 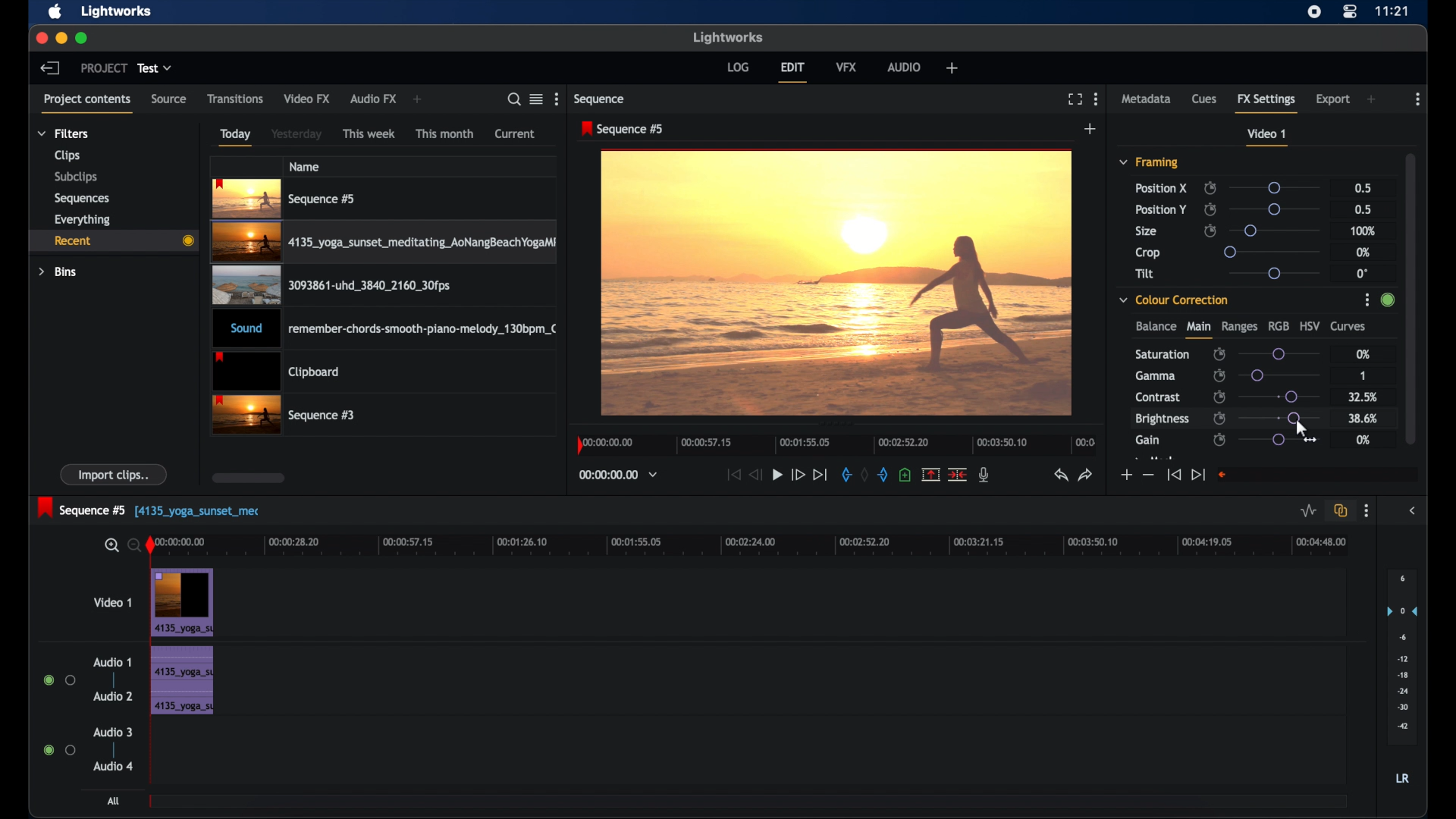 What do you see at coordinates (930, 475) in the screenshot?
I see `remove the marked section` at bounding box center [930, 475].